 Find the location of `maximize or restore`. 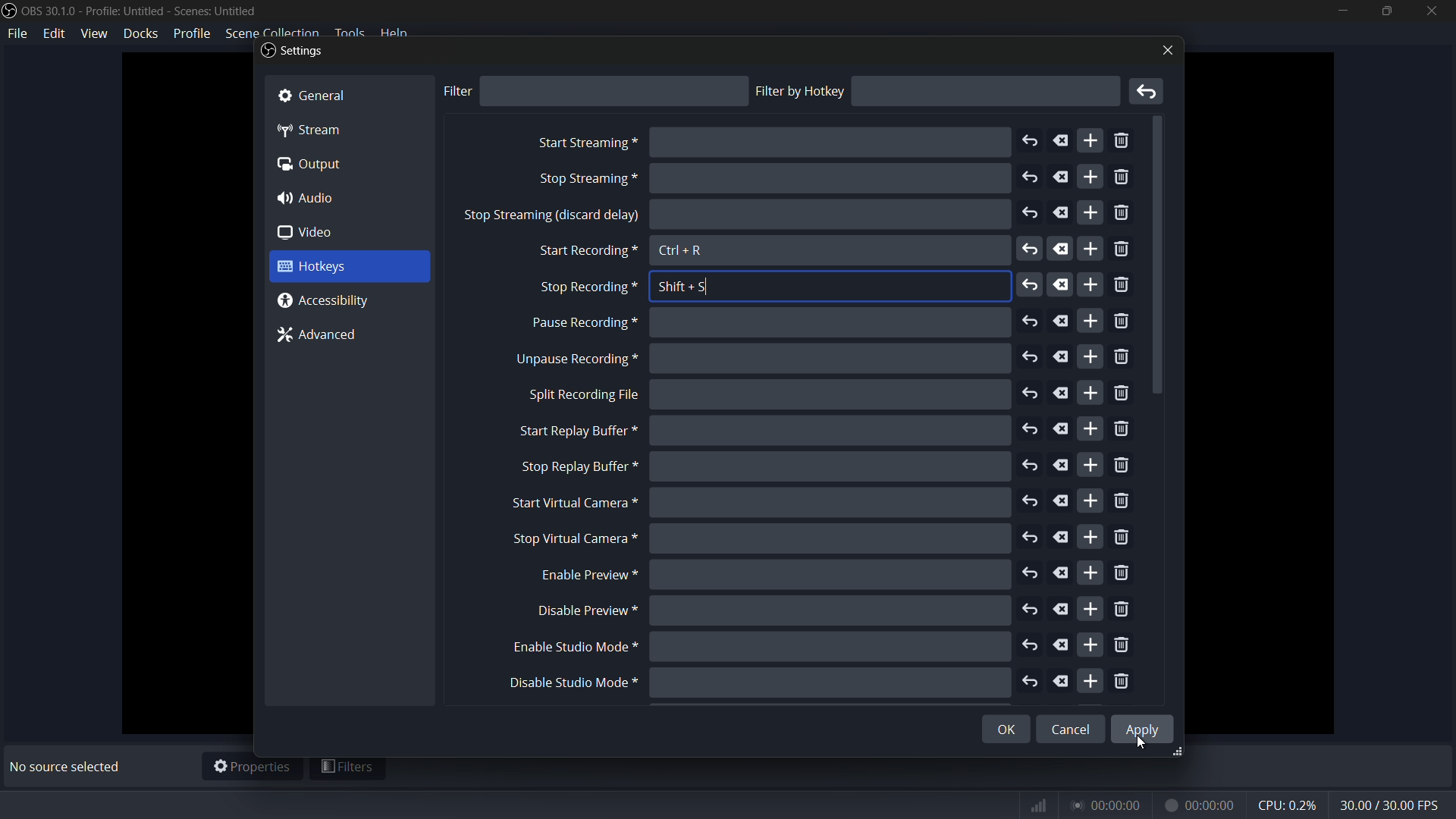

maximize or restore is located at coordinates (1385, 11).